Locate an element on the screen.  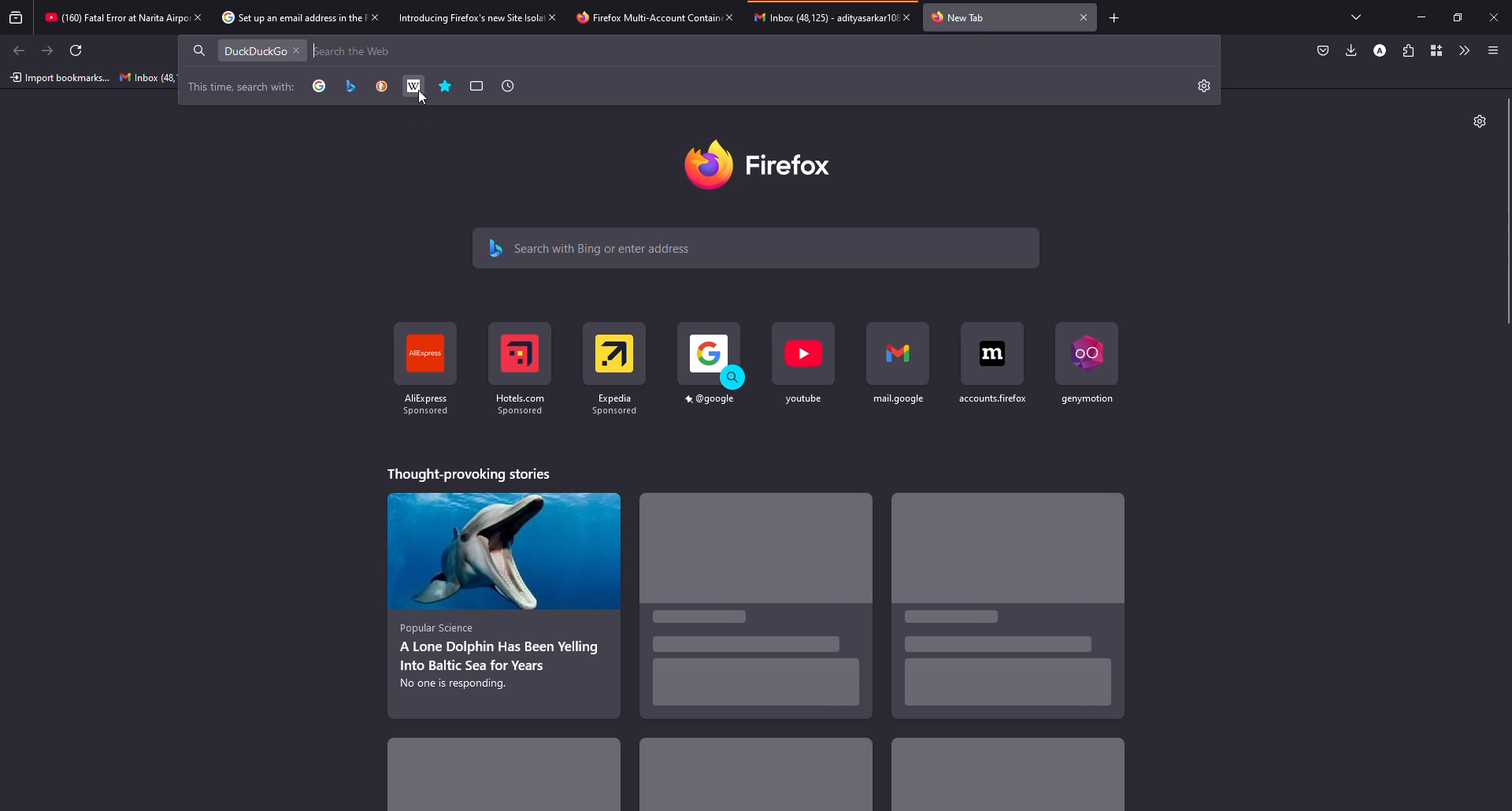
shortcut is located at coordinates (805, 373).